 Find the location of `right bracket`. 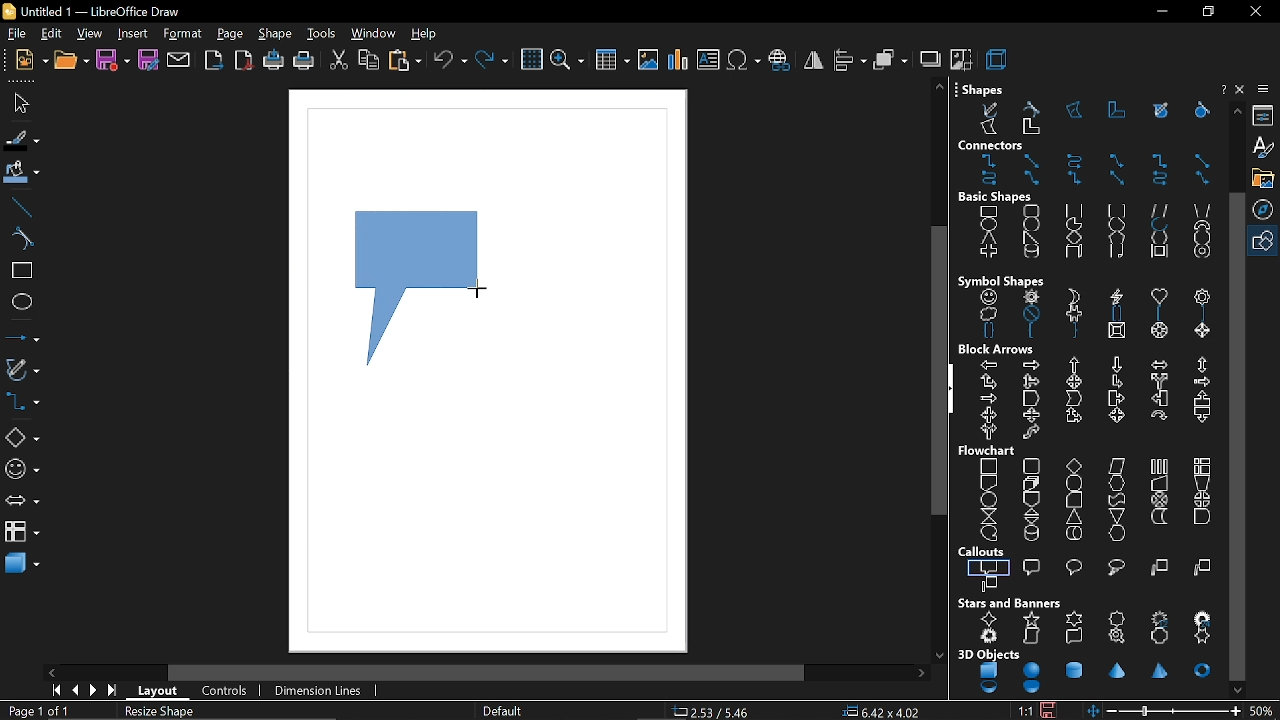

right bracket is located at coordinates (1204, 314).